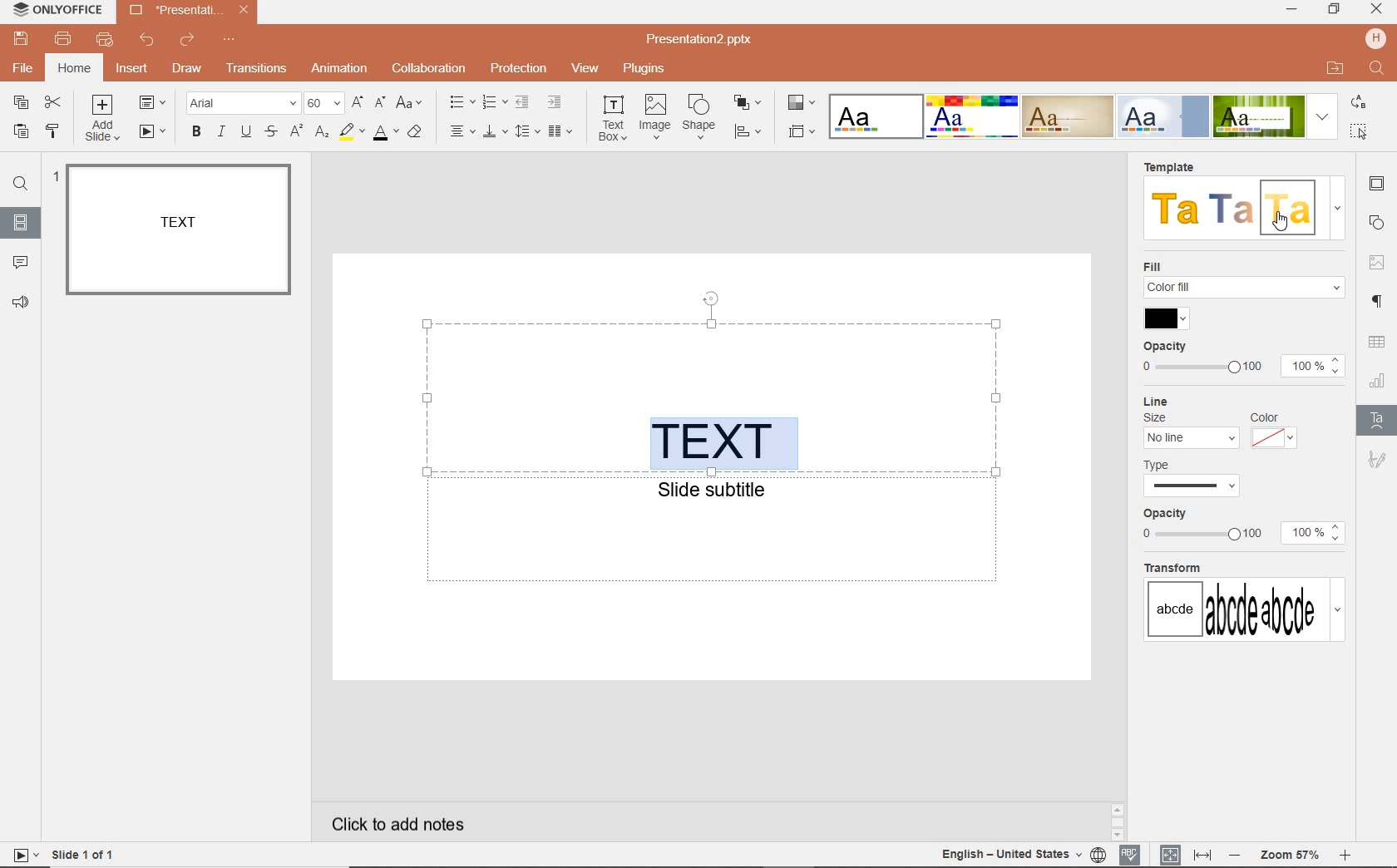 This screenshot has height=868, width=1397. What do you see at coordinates (245, 102) in the screenshot?
I see `FONT` at bounding box center [245, 102].